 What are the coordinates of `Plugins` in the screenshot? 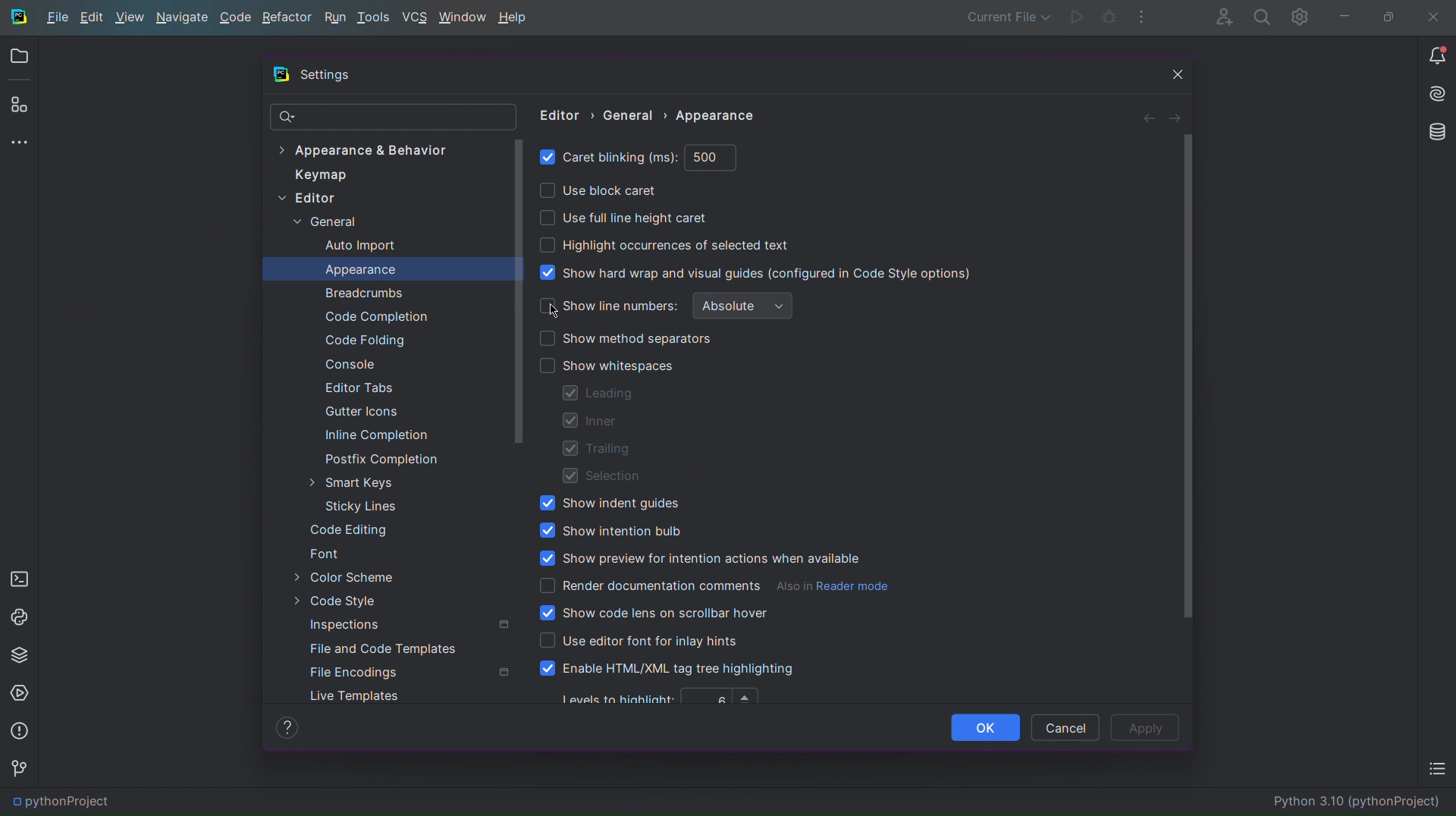 It's located at (19, 107).